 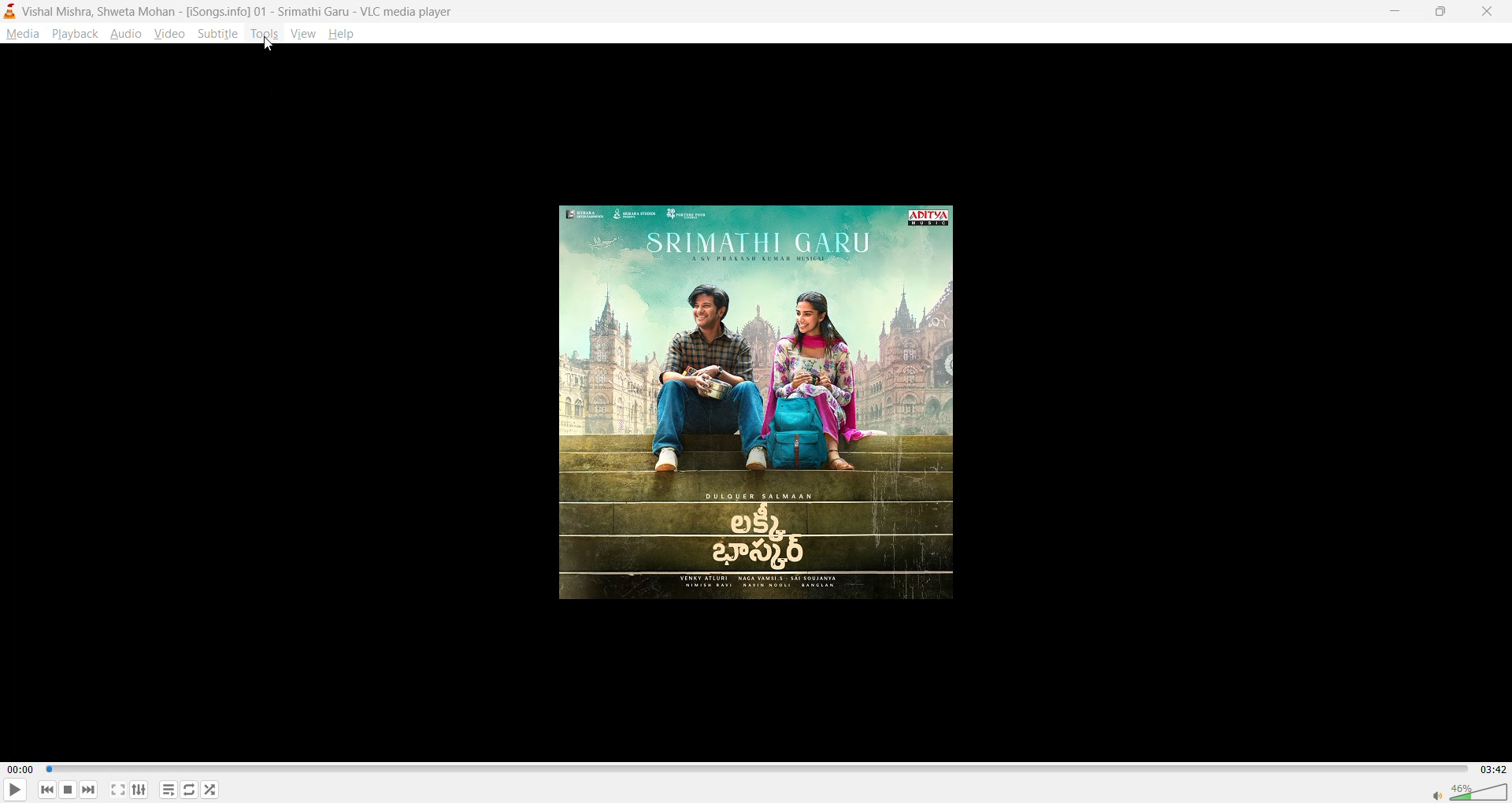 I want to click on subtitle, so click(x=218, y=33).